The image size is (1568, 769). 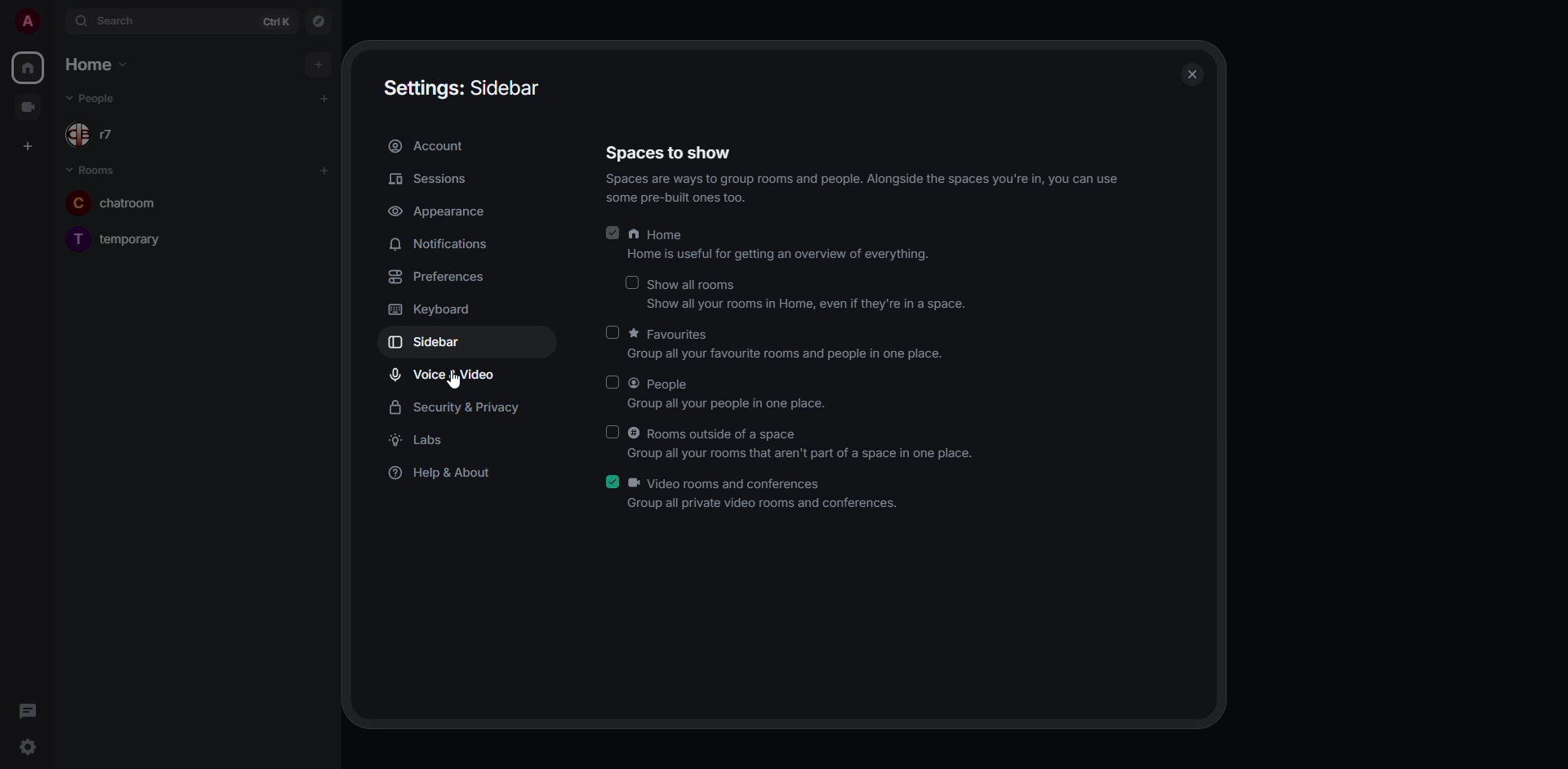 What do you see at coordinates (131, 202) in the screenshot?
I see `chatroom` at bounding box center [131, 202].